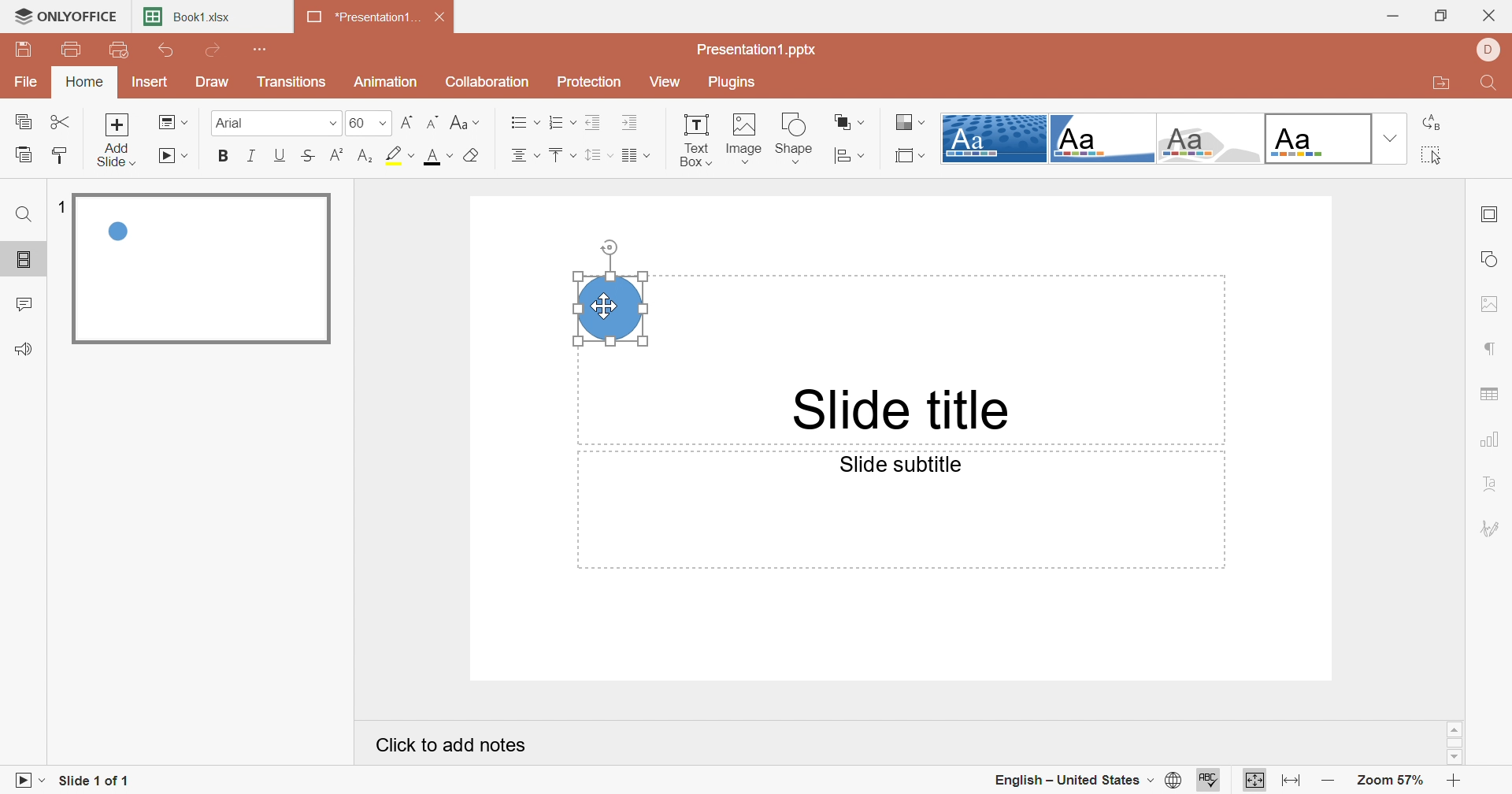 The height and width of the screenshot is (794, 1512). Describe the element at coordinates (169, 50) in the screenshot. I see `Undo` at that location.